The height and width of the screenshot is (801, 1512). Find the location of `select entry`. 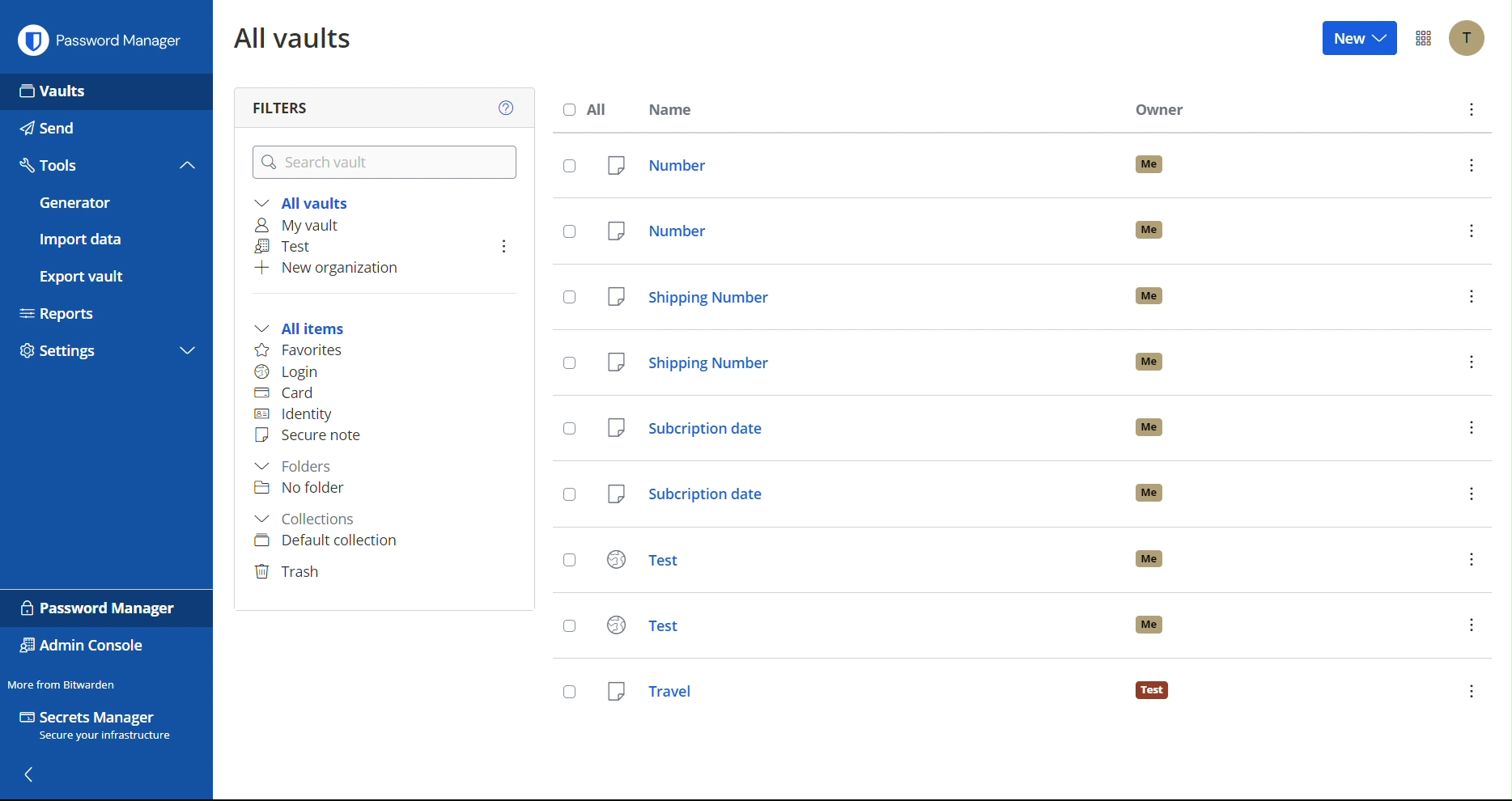

select entry is located at coordinates (569, 562).